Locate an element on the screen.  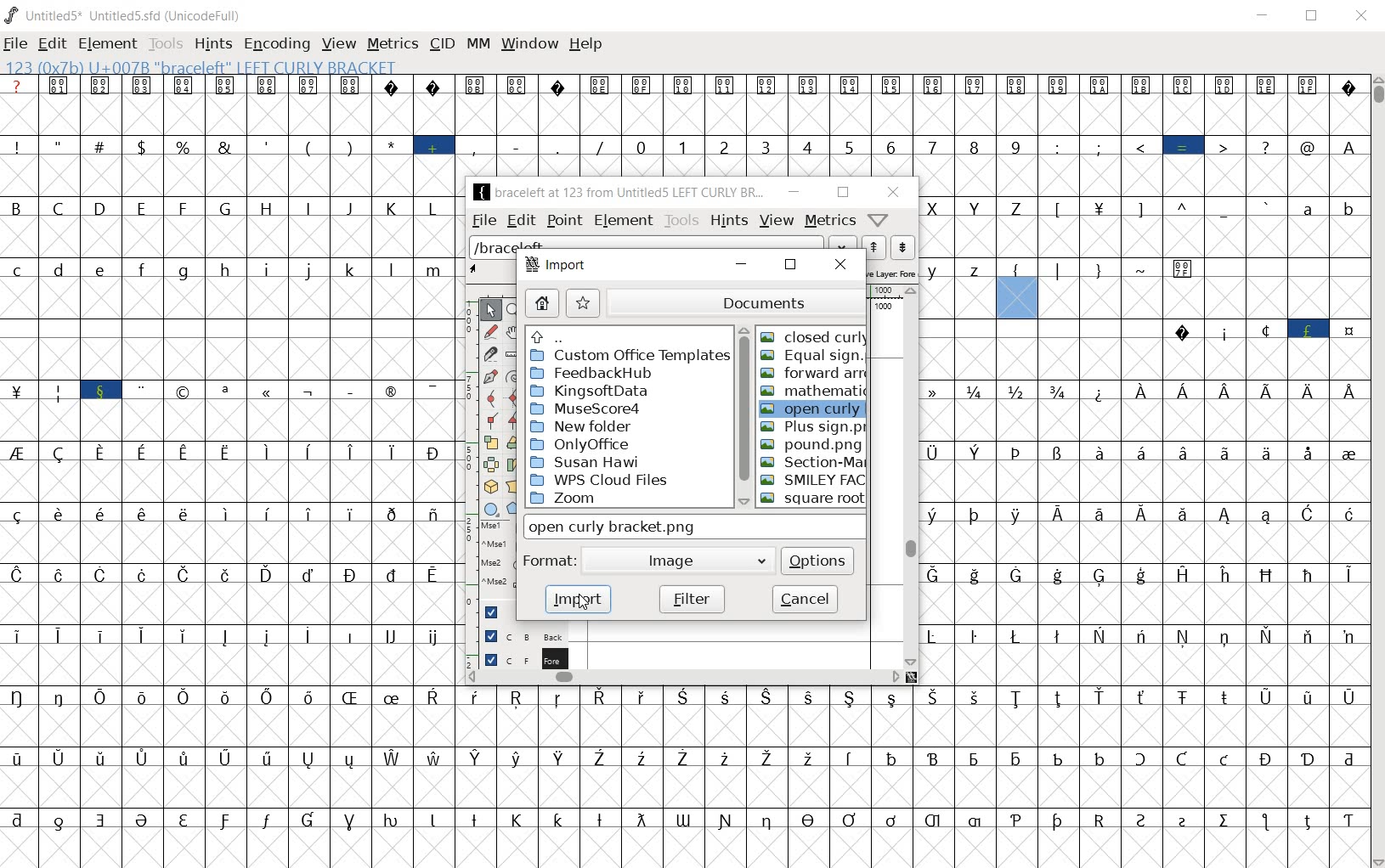
open curly bracket is located at coordinates (814, 409).